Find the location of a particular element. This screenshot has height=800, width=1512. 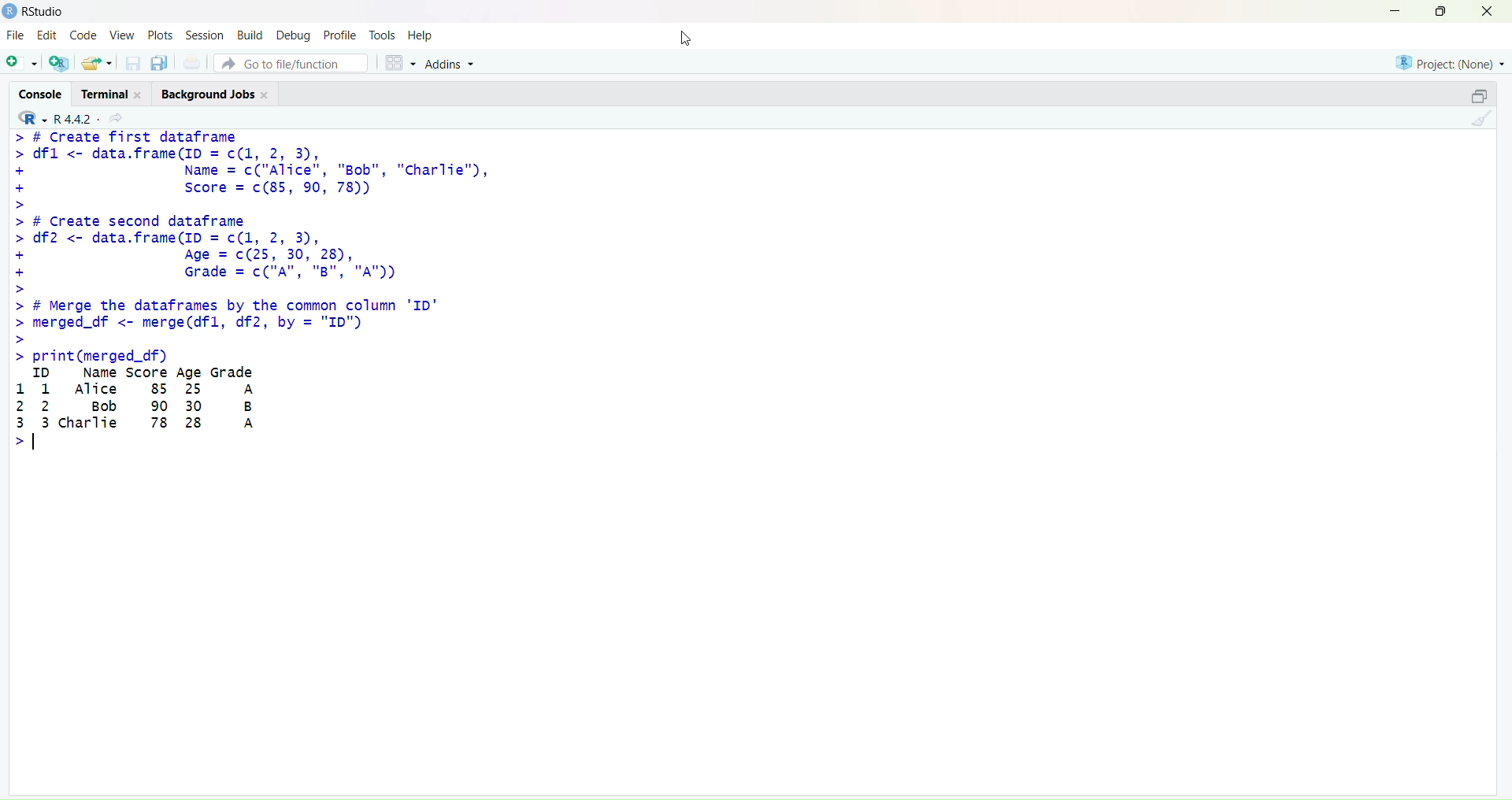

workspace panes is located at coordinates (400, 62).